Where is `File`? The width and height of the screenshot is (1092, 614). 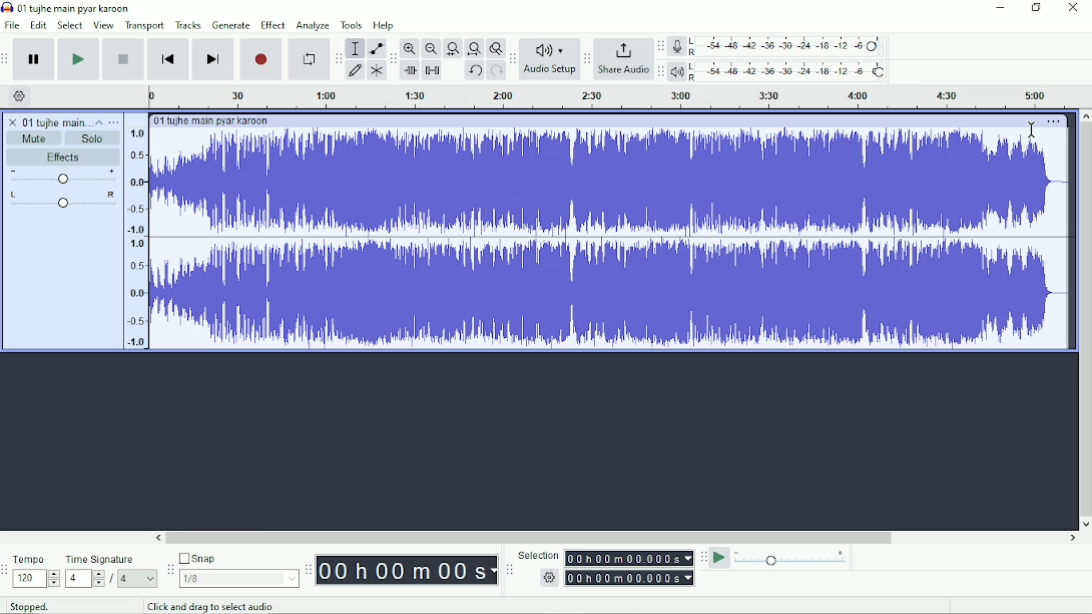 File is located at coordinates (13, 26).